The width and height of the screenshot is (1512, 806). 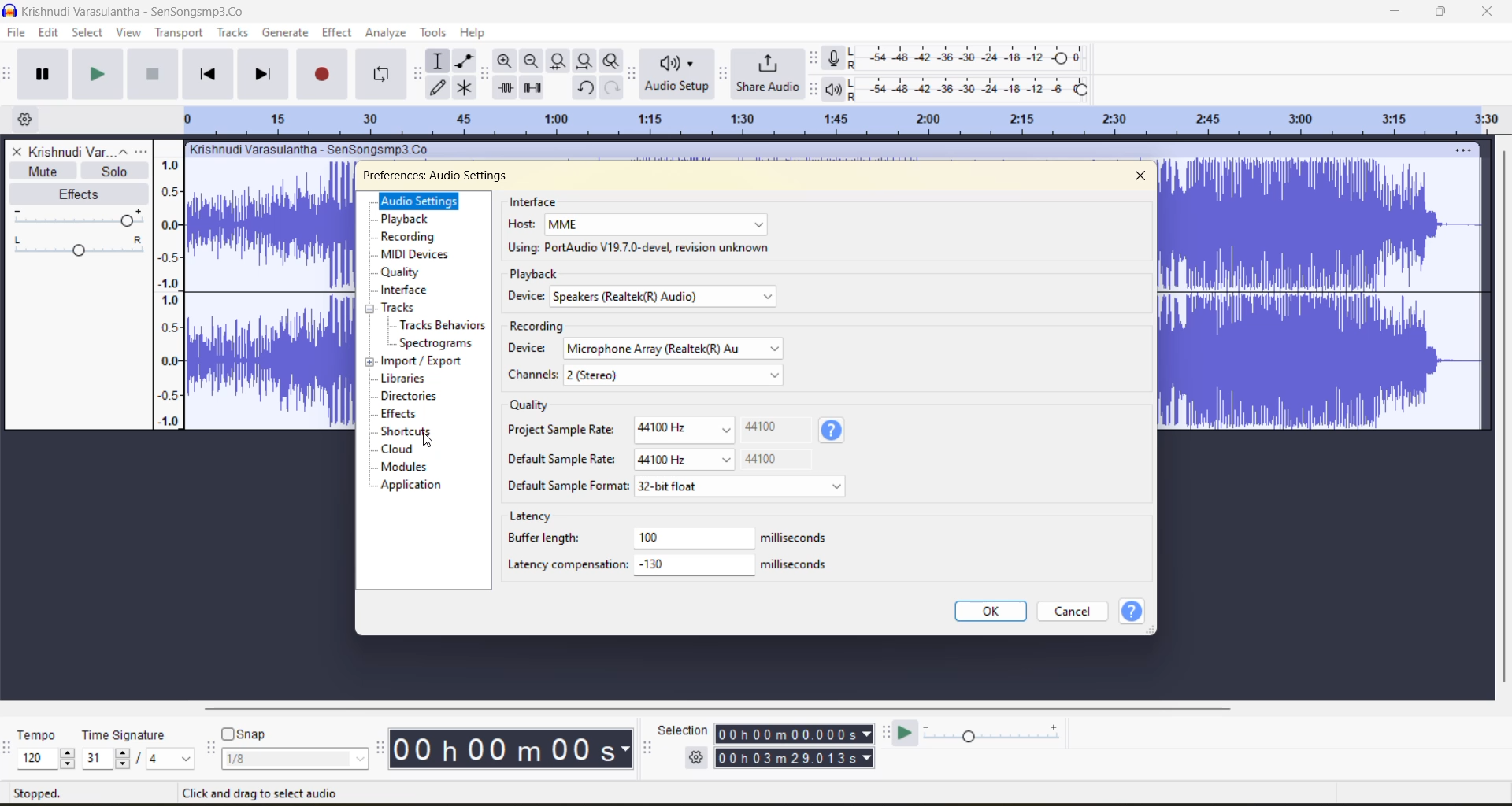 What do you see at coordinates (51, 35) in the screenshot?
I see `edit` at bounding box center [51, 35].